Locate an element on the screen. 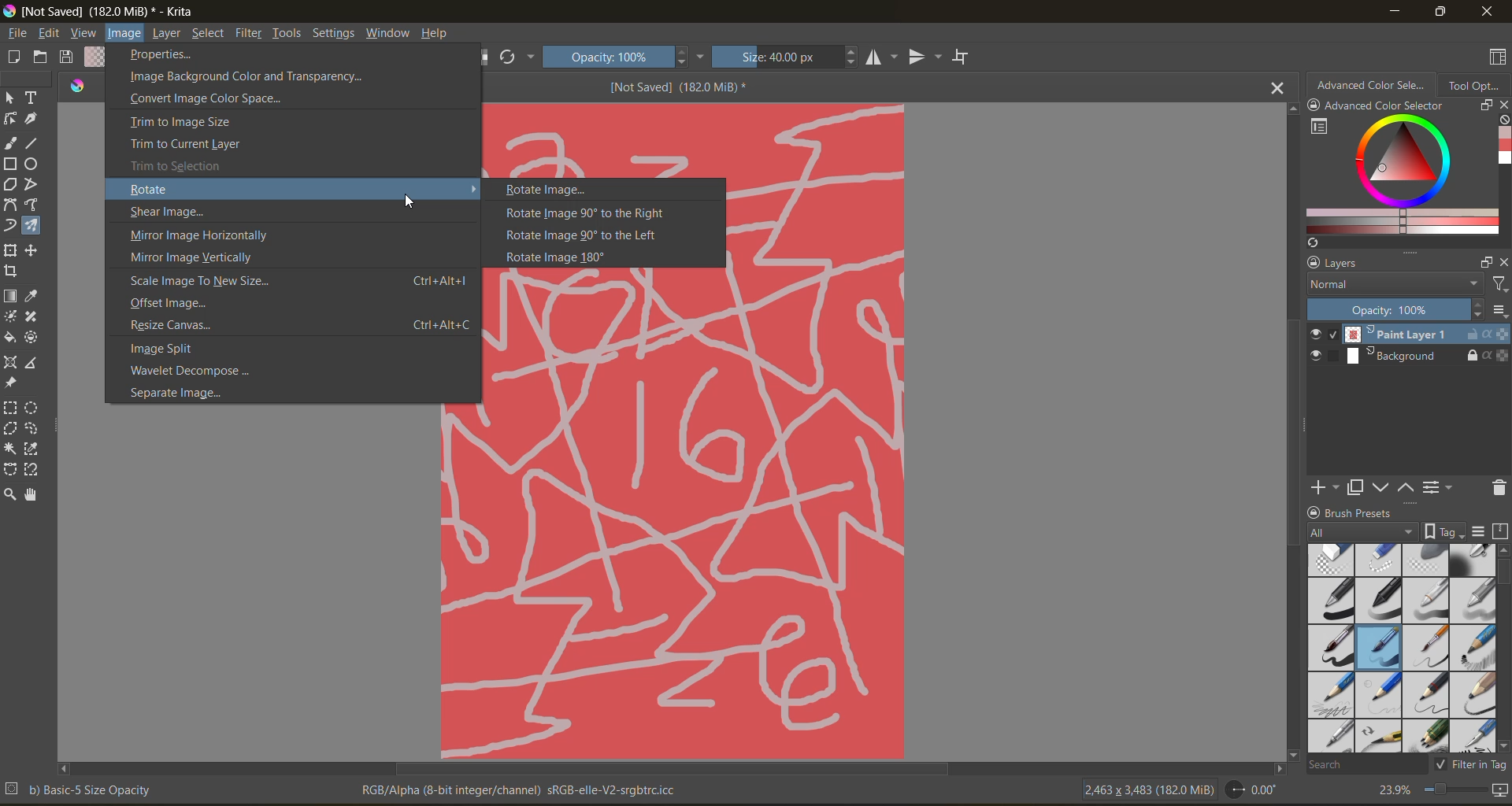 Image resolution: width=1512 pixels, height=806 pixels. trim to current layer is located at coordinates (186, 145).